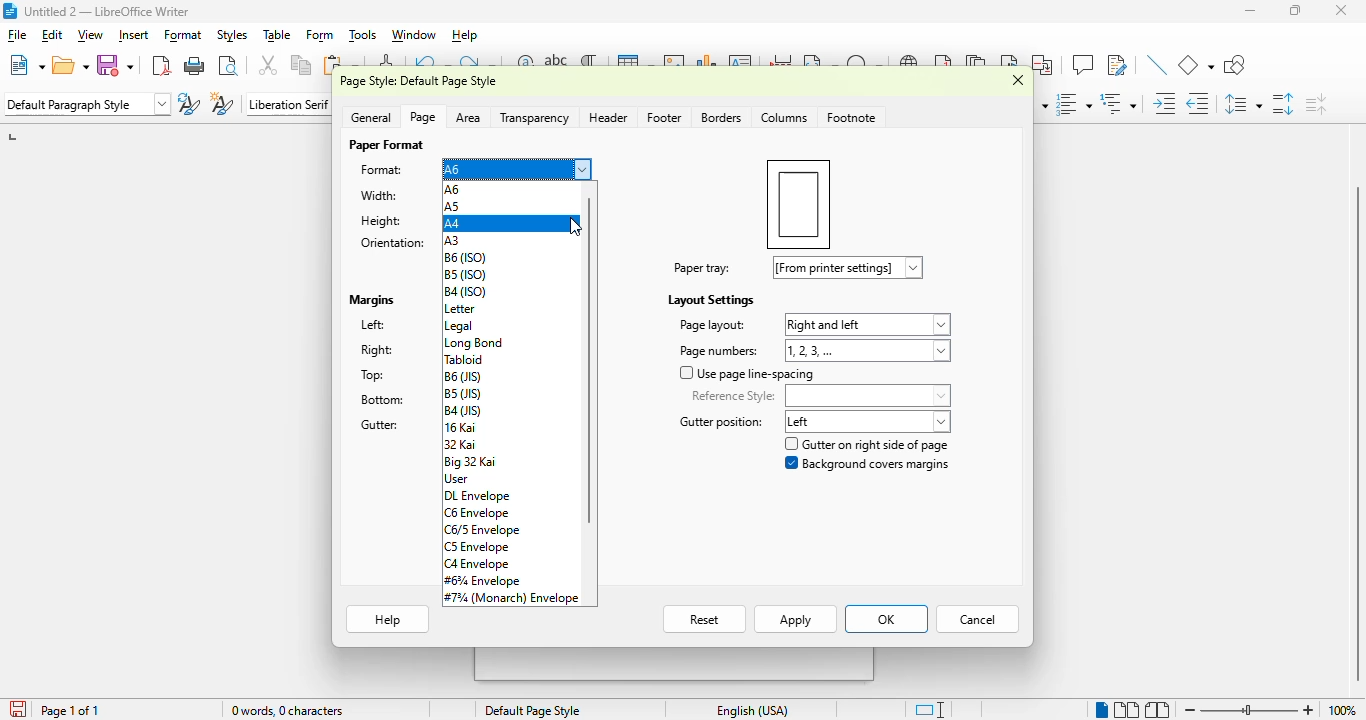  I want to click on B6 (JIS), so click(464, 377).